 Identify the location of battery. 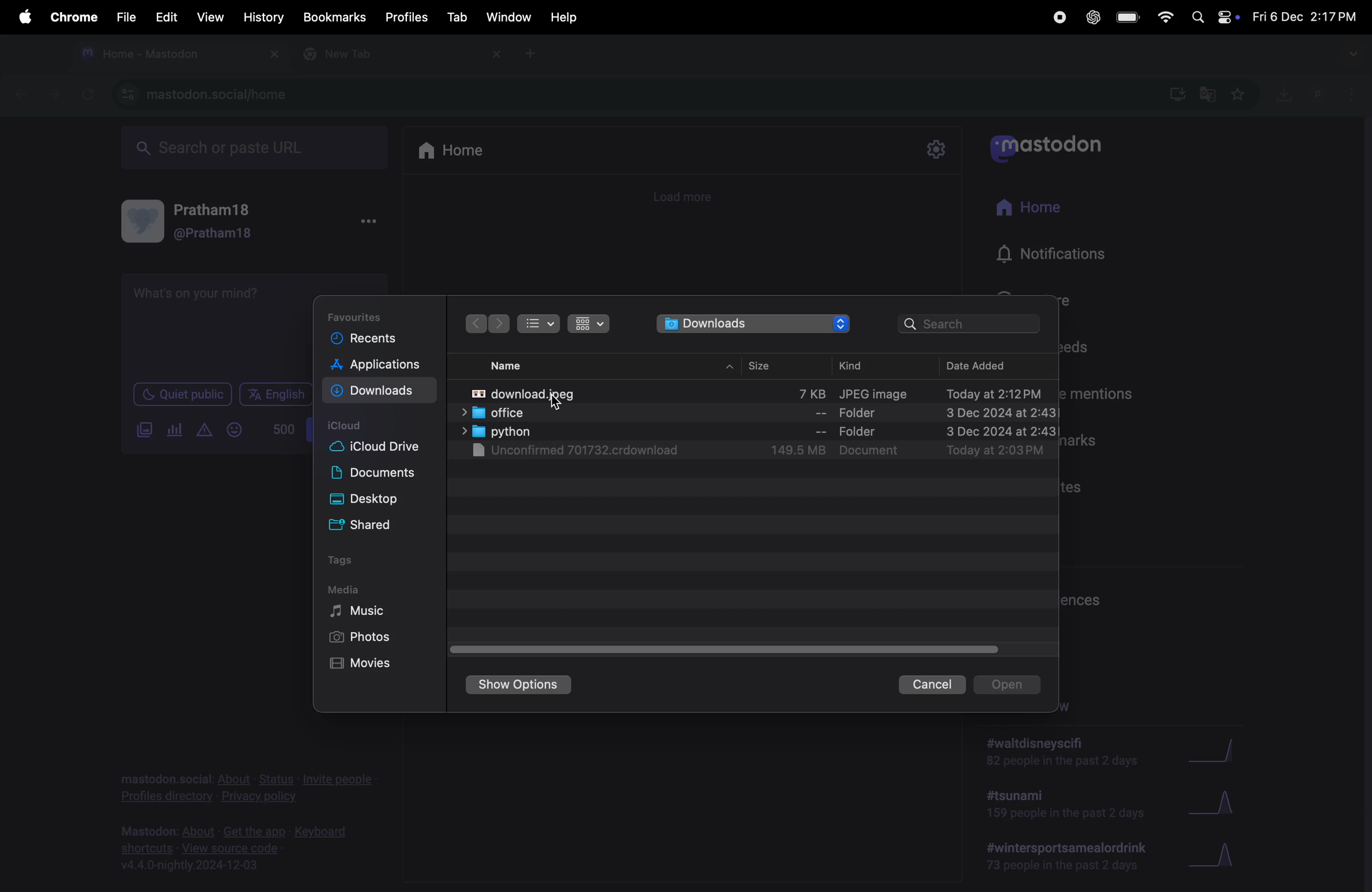
(1129, 18).